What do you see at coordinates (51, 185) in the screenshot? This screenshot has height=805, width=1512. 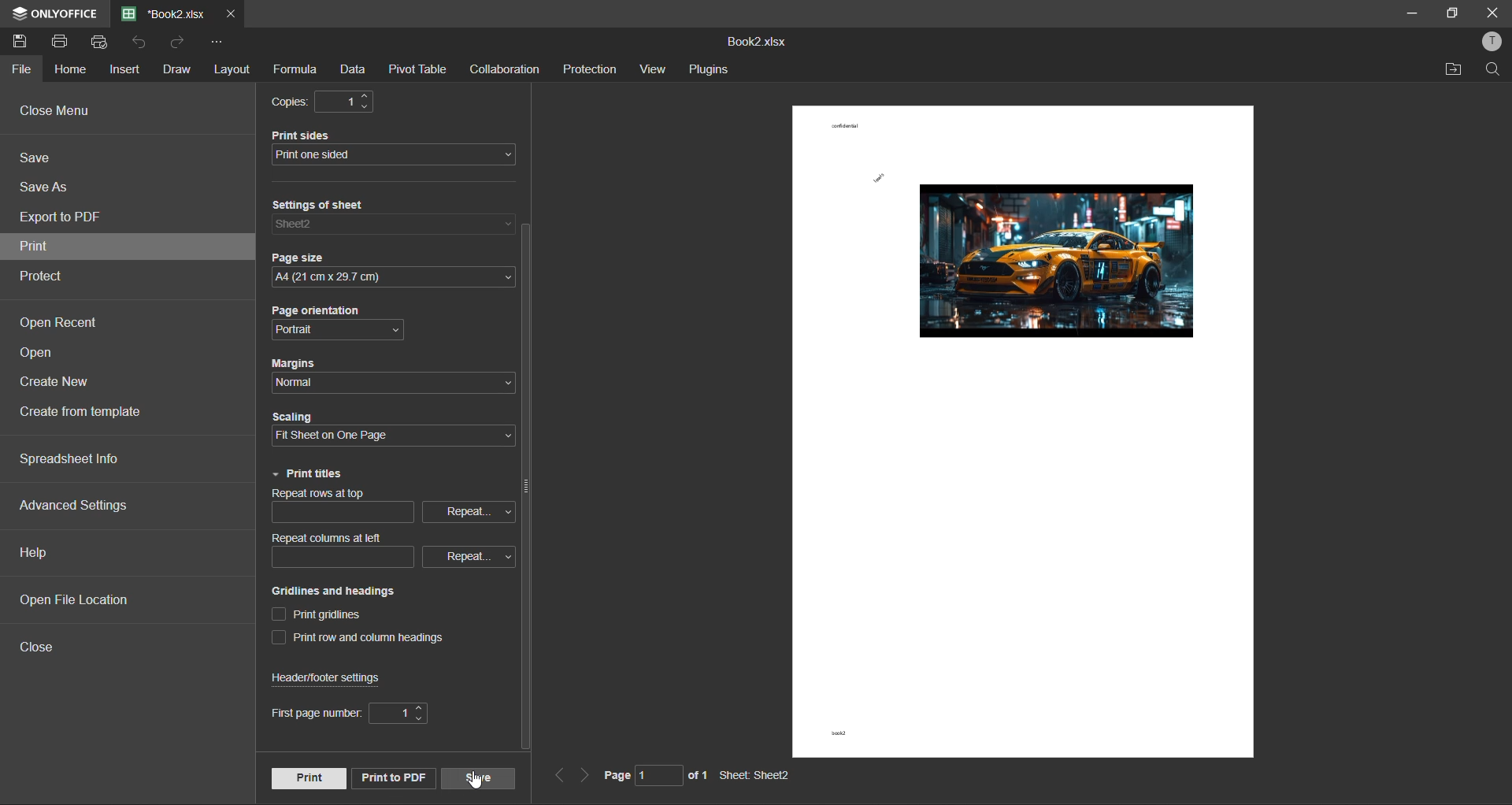 I see `save as ` at bounding box center [51, 185].